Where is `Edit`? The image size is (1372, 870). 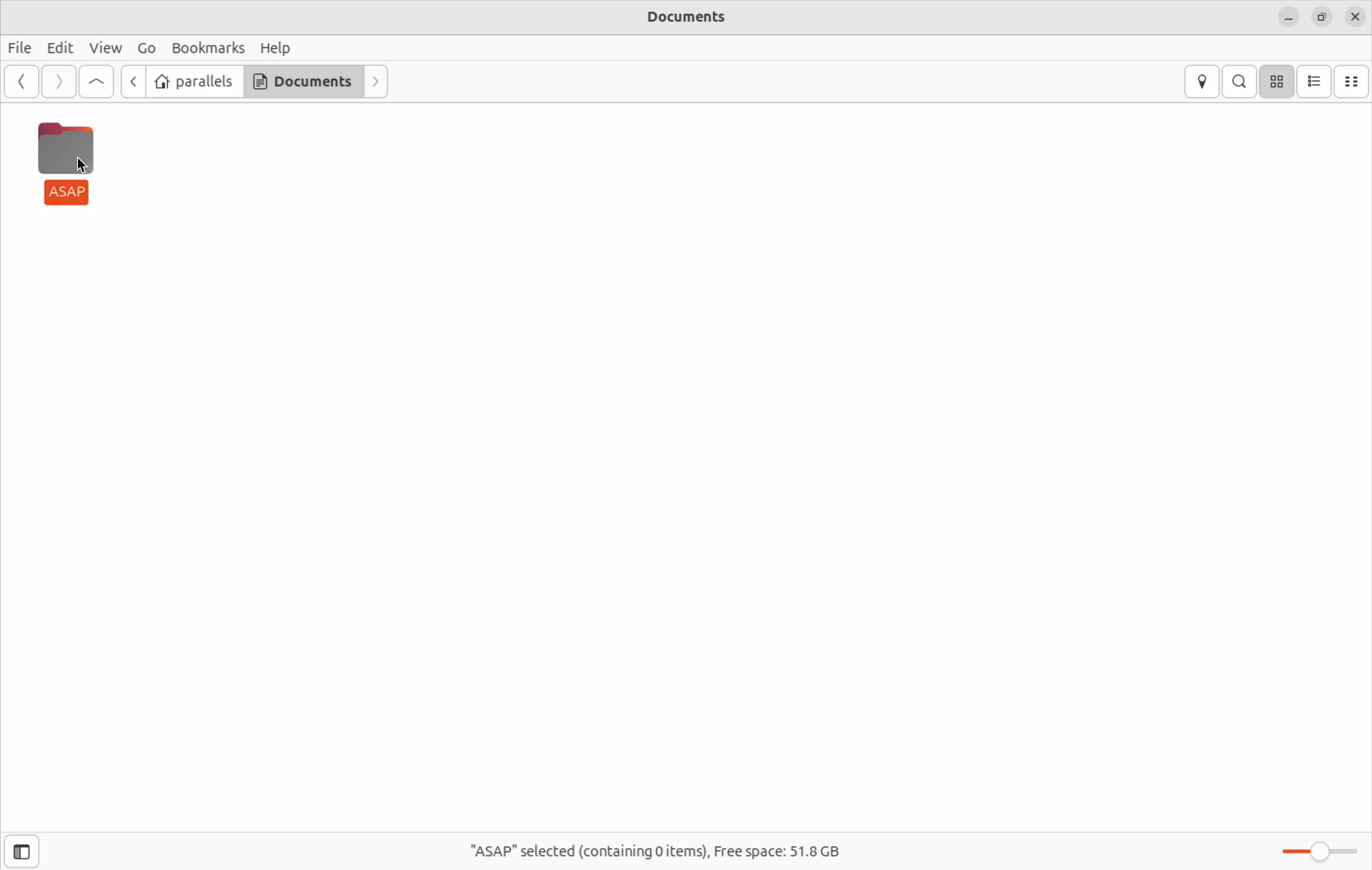
Edit is located at coordinates (58, 48).